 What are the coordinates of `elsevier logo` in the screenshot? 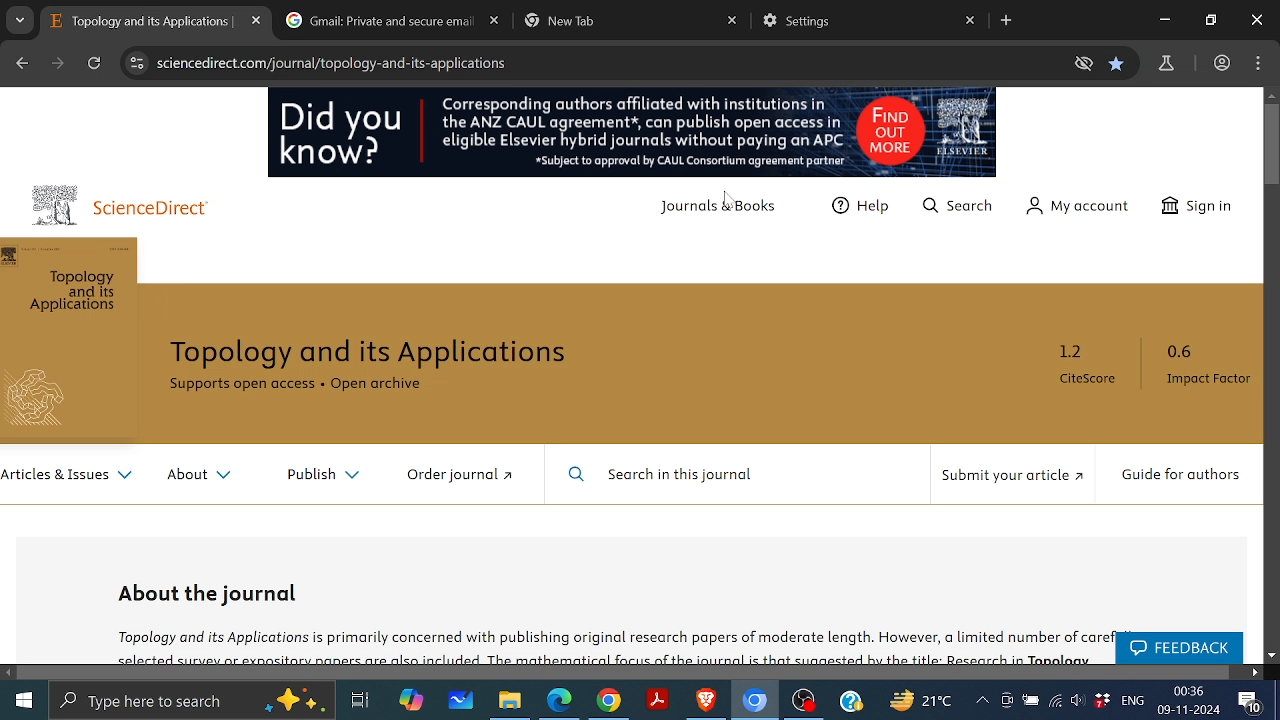 It's located at (962, 128).